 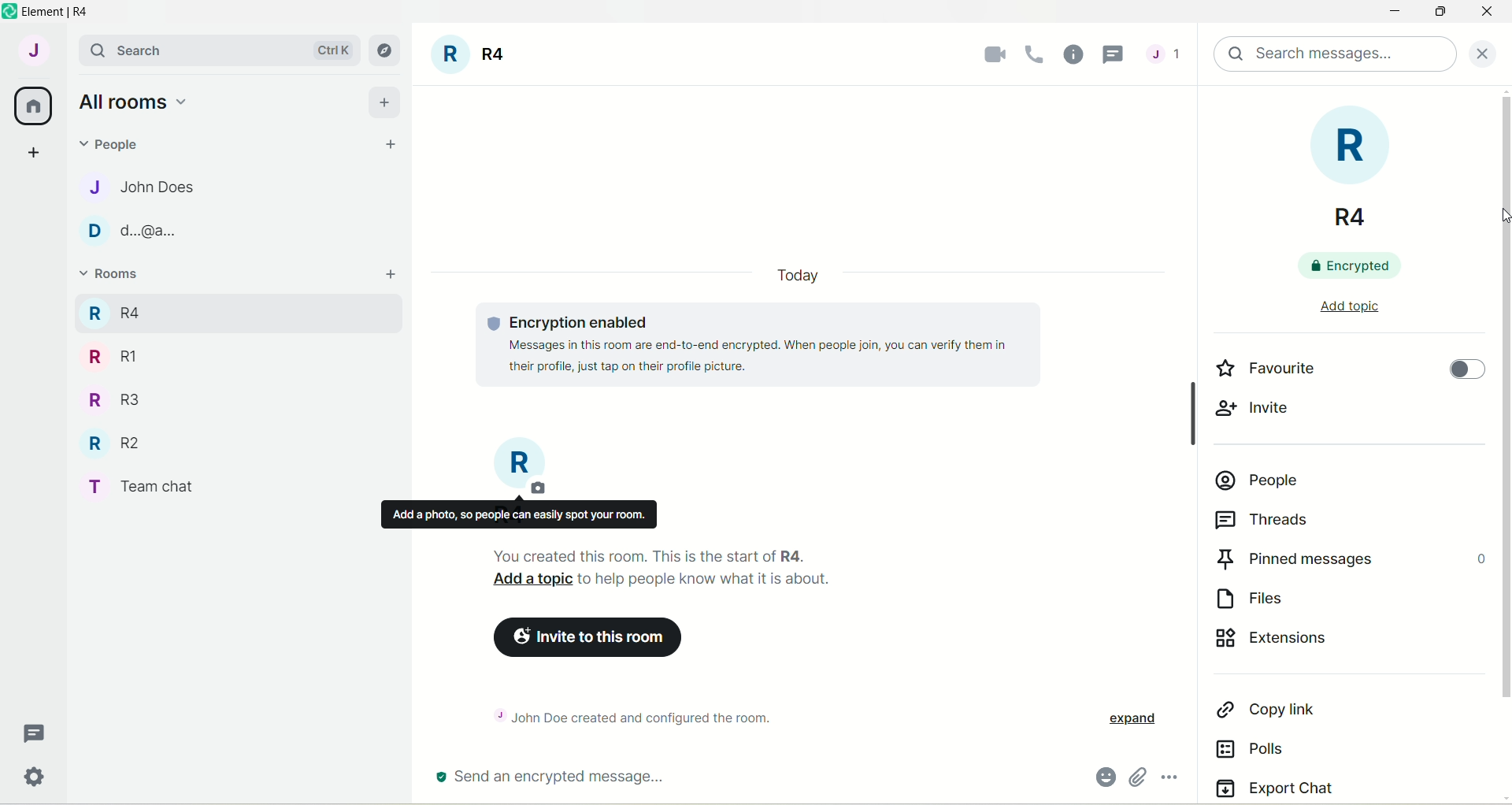 I want to click on element, so click(x=62, y=12).